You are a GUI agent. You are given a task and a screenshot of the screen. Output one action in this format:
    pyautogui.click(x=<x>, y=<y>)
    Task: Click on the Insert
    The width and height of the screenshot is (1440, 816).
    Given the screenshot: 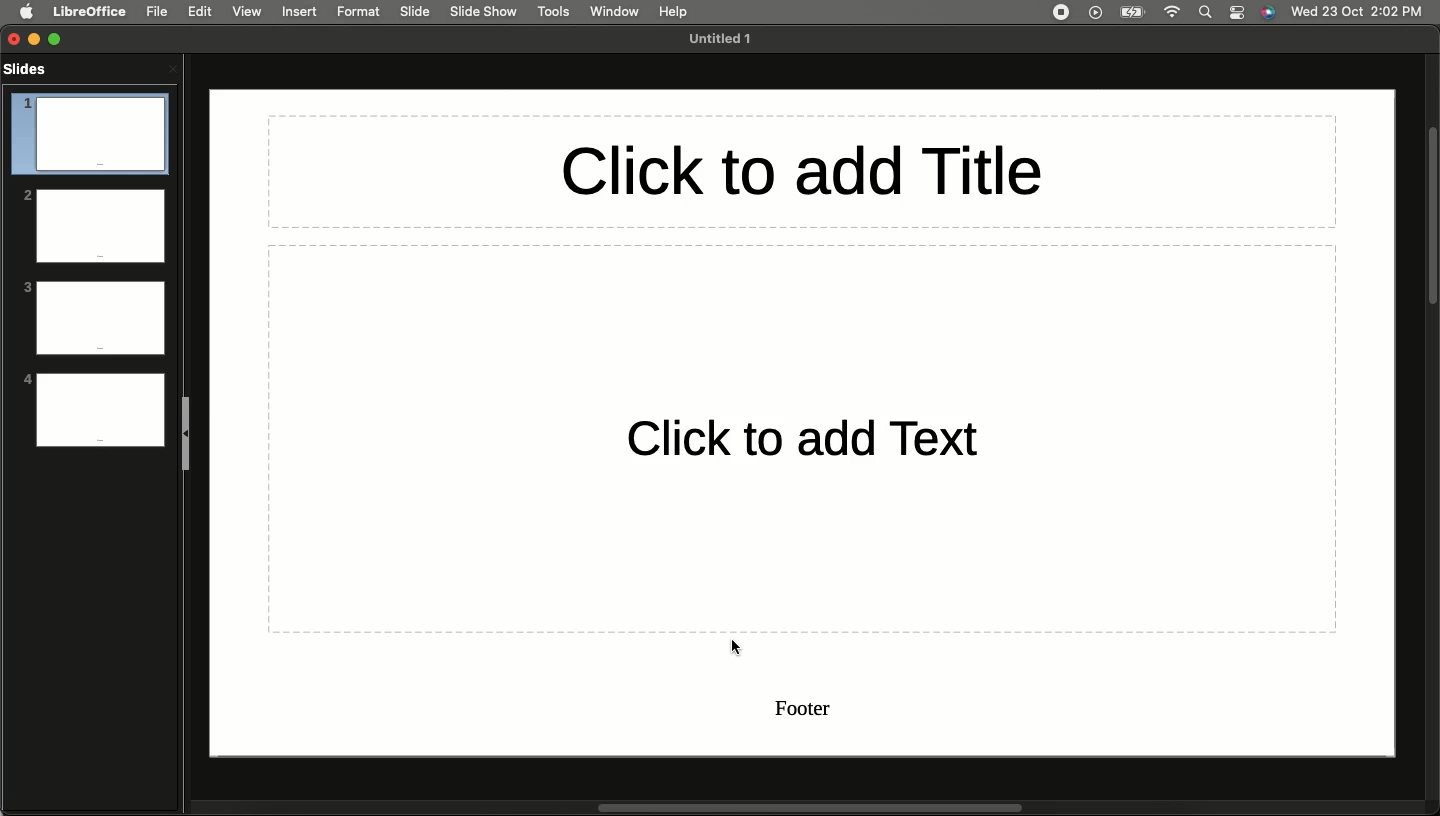 What is the action you would take?
    pyautogui.click(x=300, y=12)
    